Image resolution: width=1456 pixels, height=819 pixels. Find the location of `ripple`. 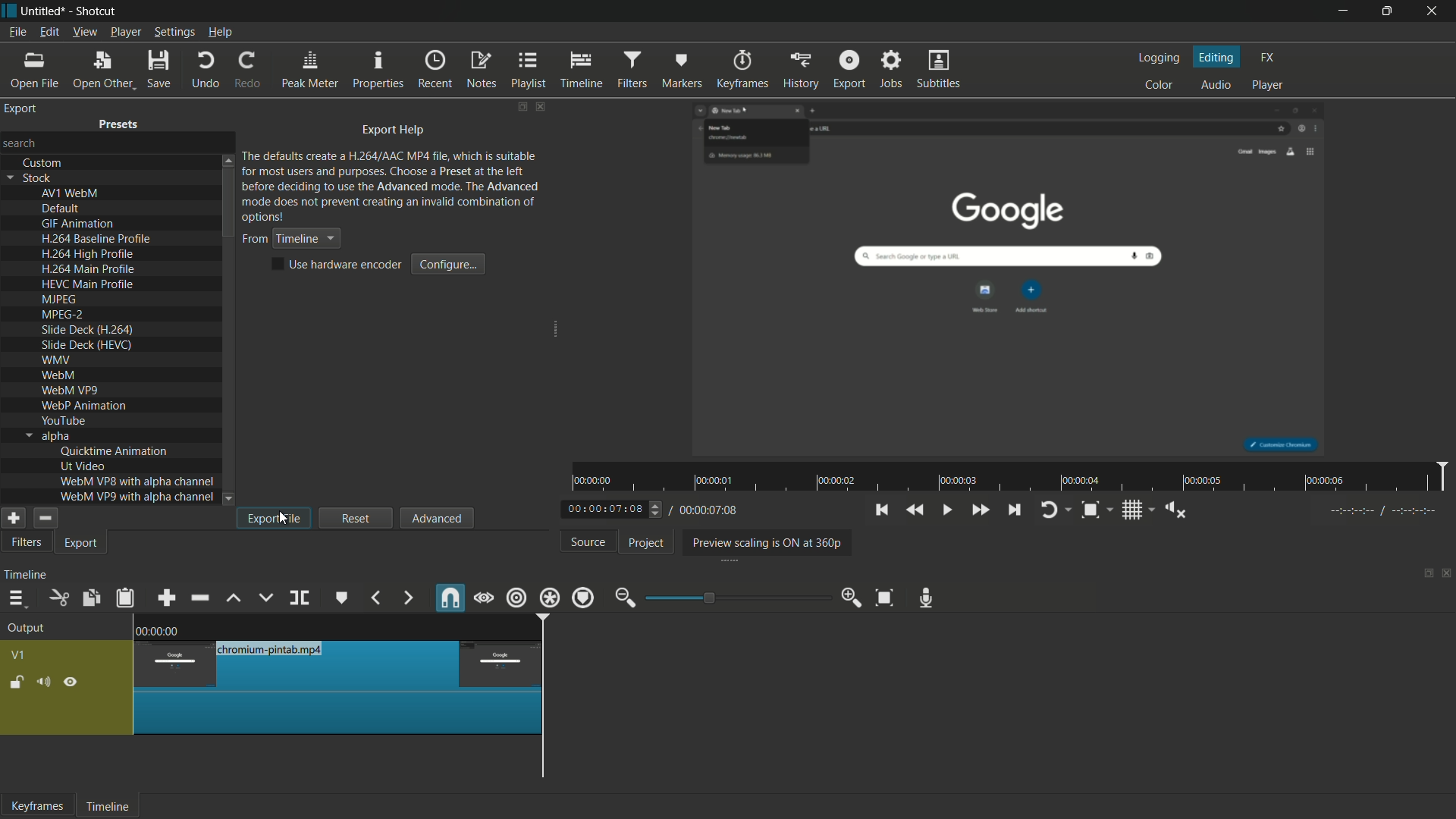

ripple is located at coordinates (516, 598).